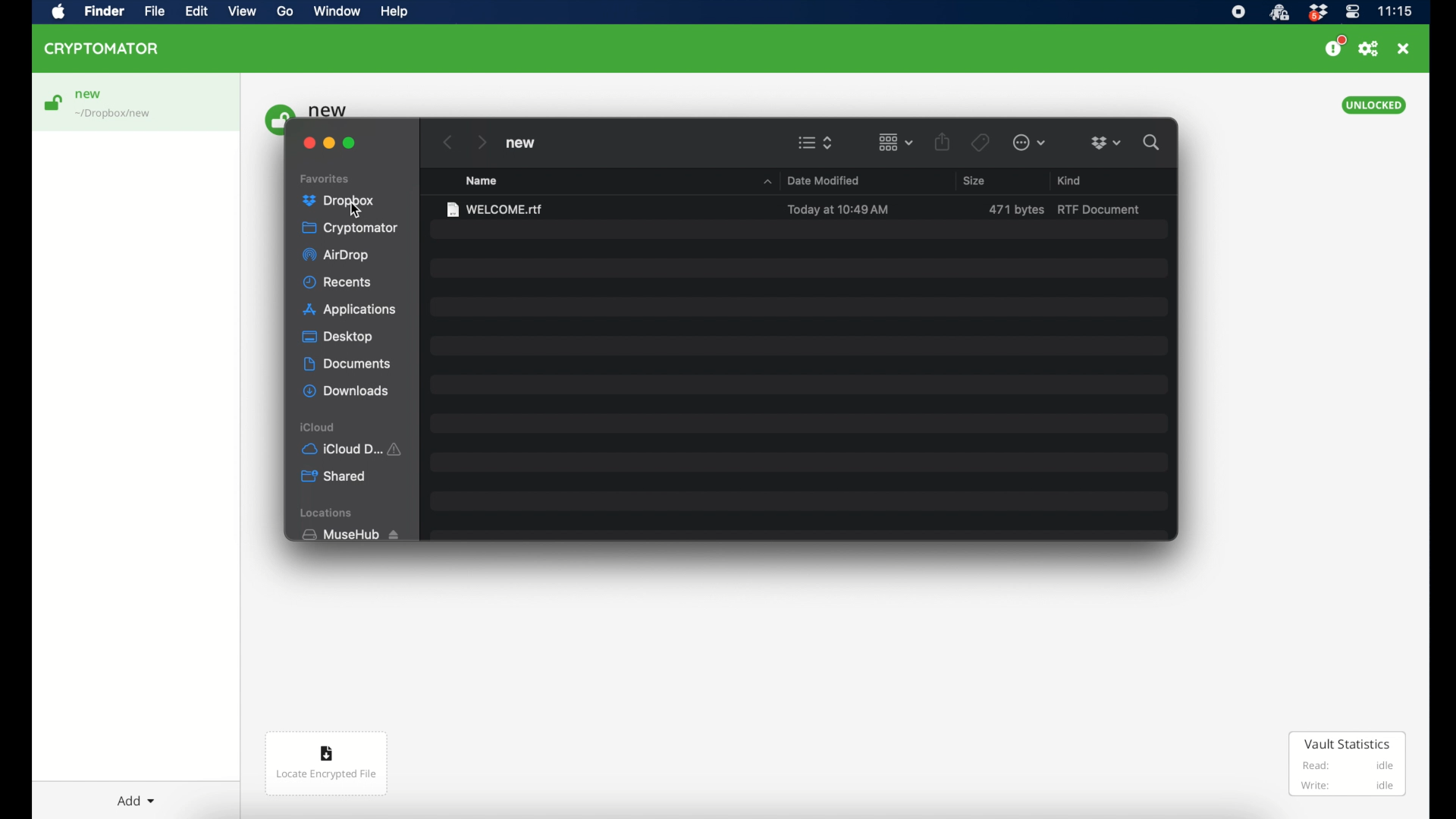  Describe the element at coordinates (104, 11) in the screenshot. I see `finder` at that location.